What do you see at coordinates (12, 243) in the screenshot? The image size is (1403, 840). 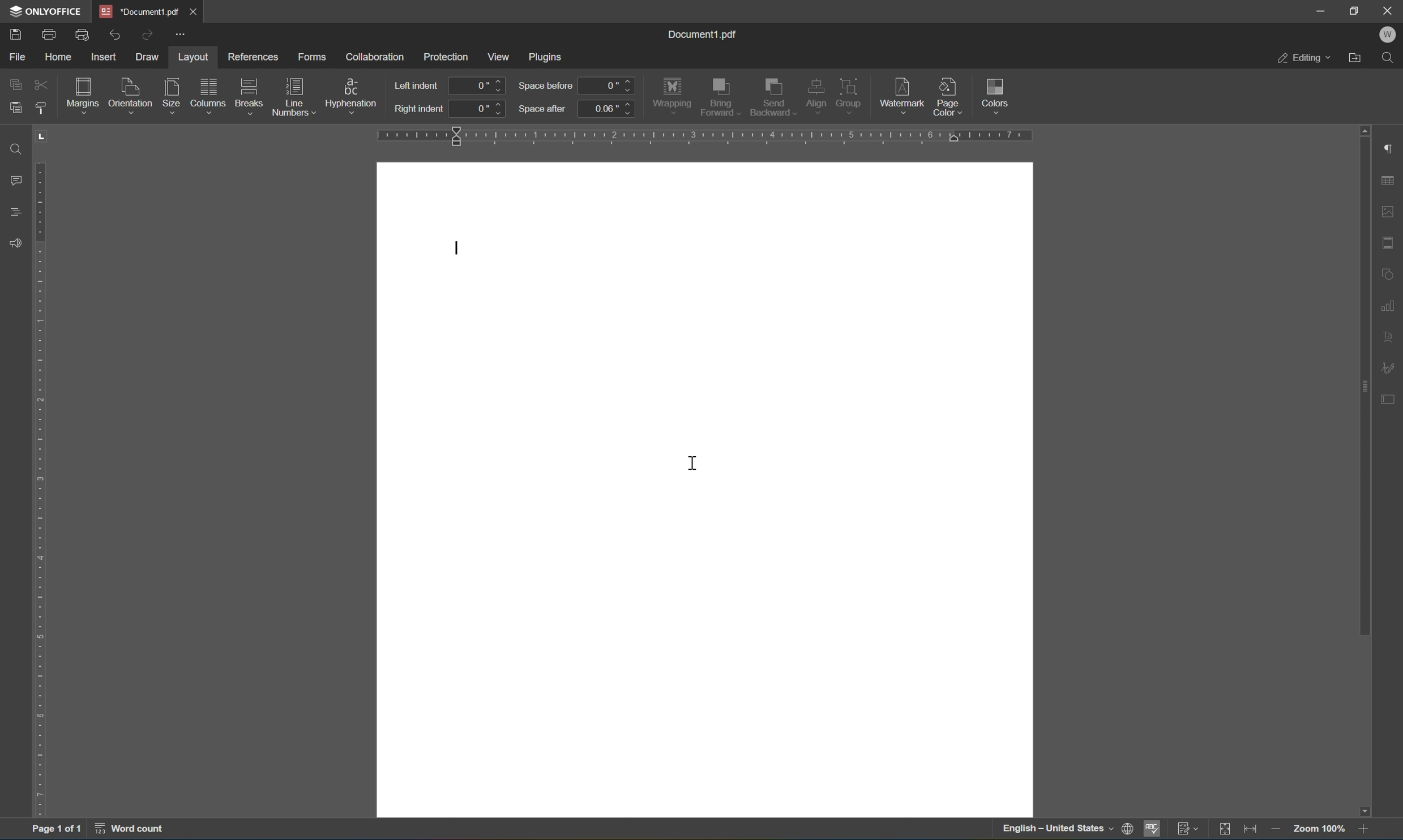 I see `feedback & support` at bounding box center [12, 243].